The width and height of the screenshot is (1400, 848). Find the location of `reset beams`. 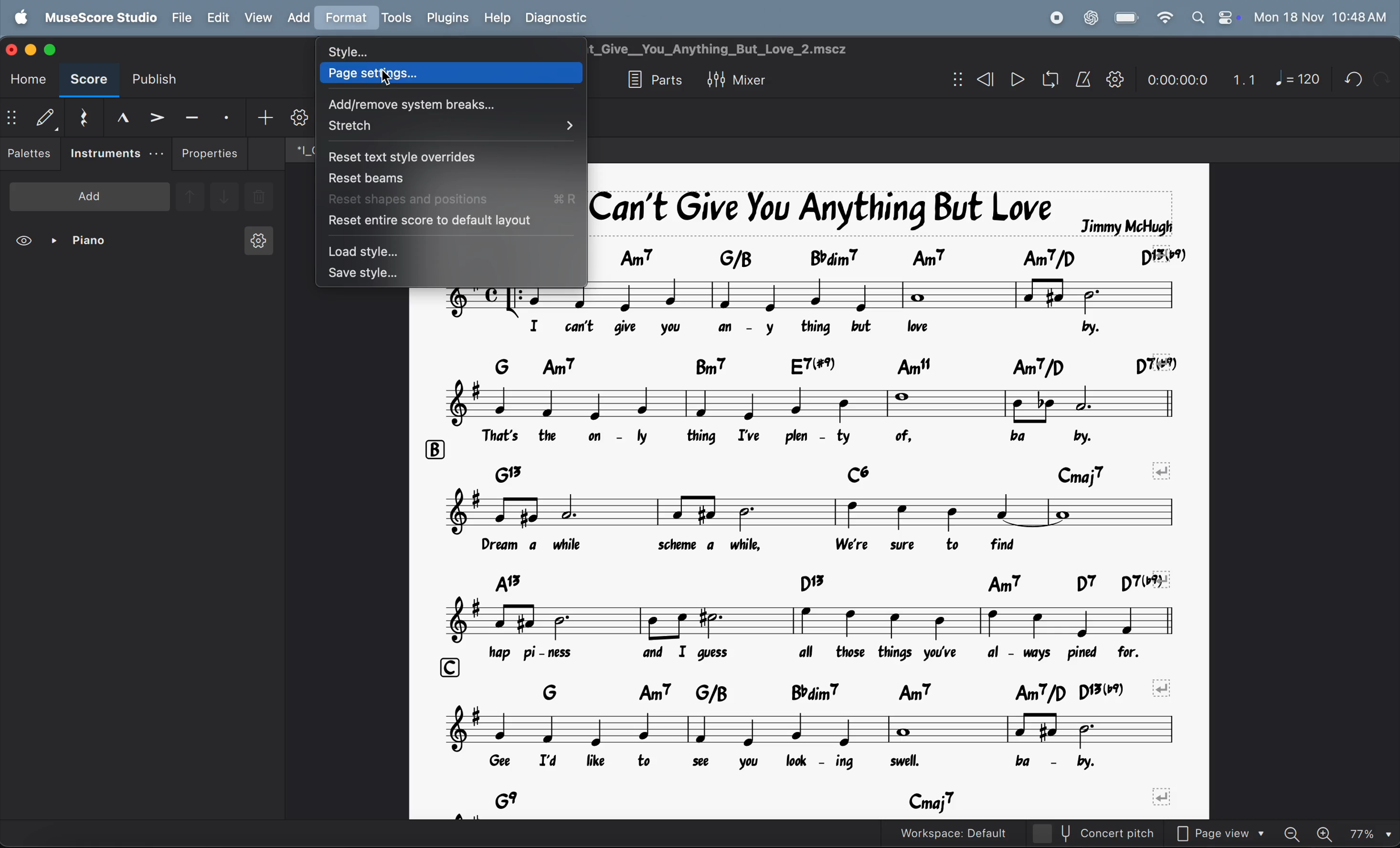

reset beams is located at coordinates (445, 177).